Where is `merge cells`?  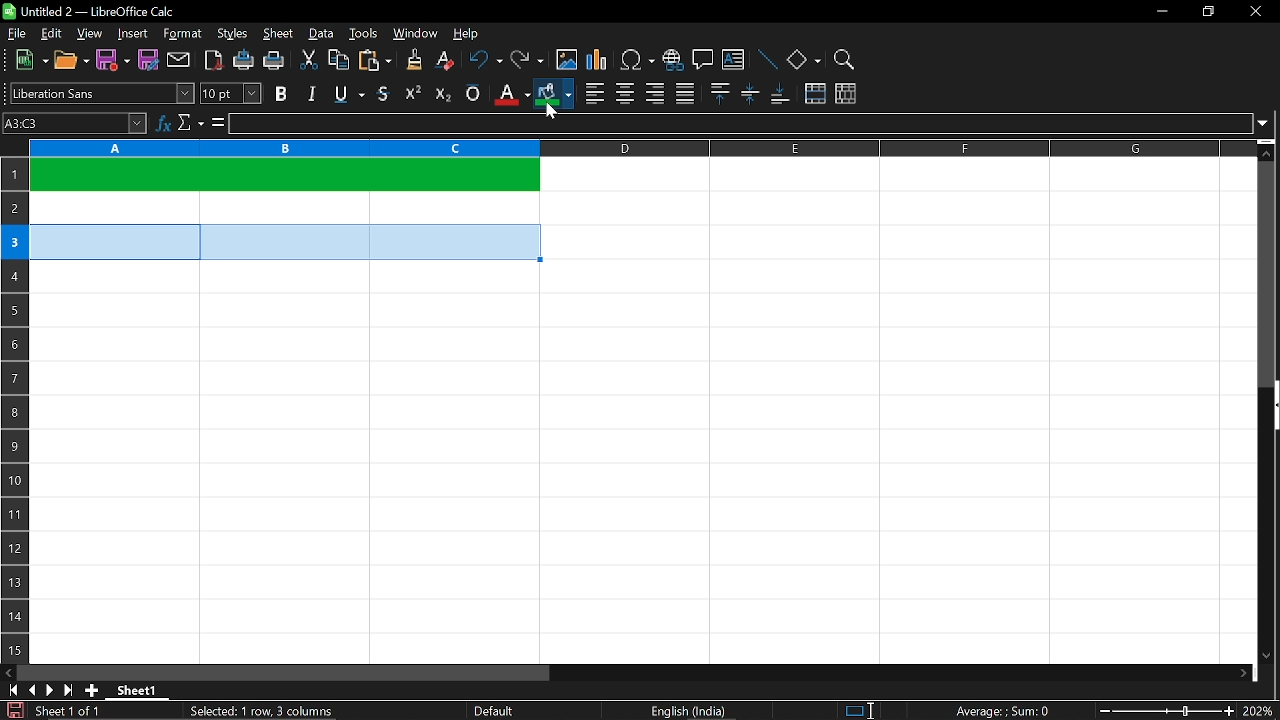 merge cells is located at coordinates (815, 94).